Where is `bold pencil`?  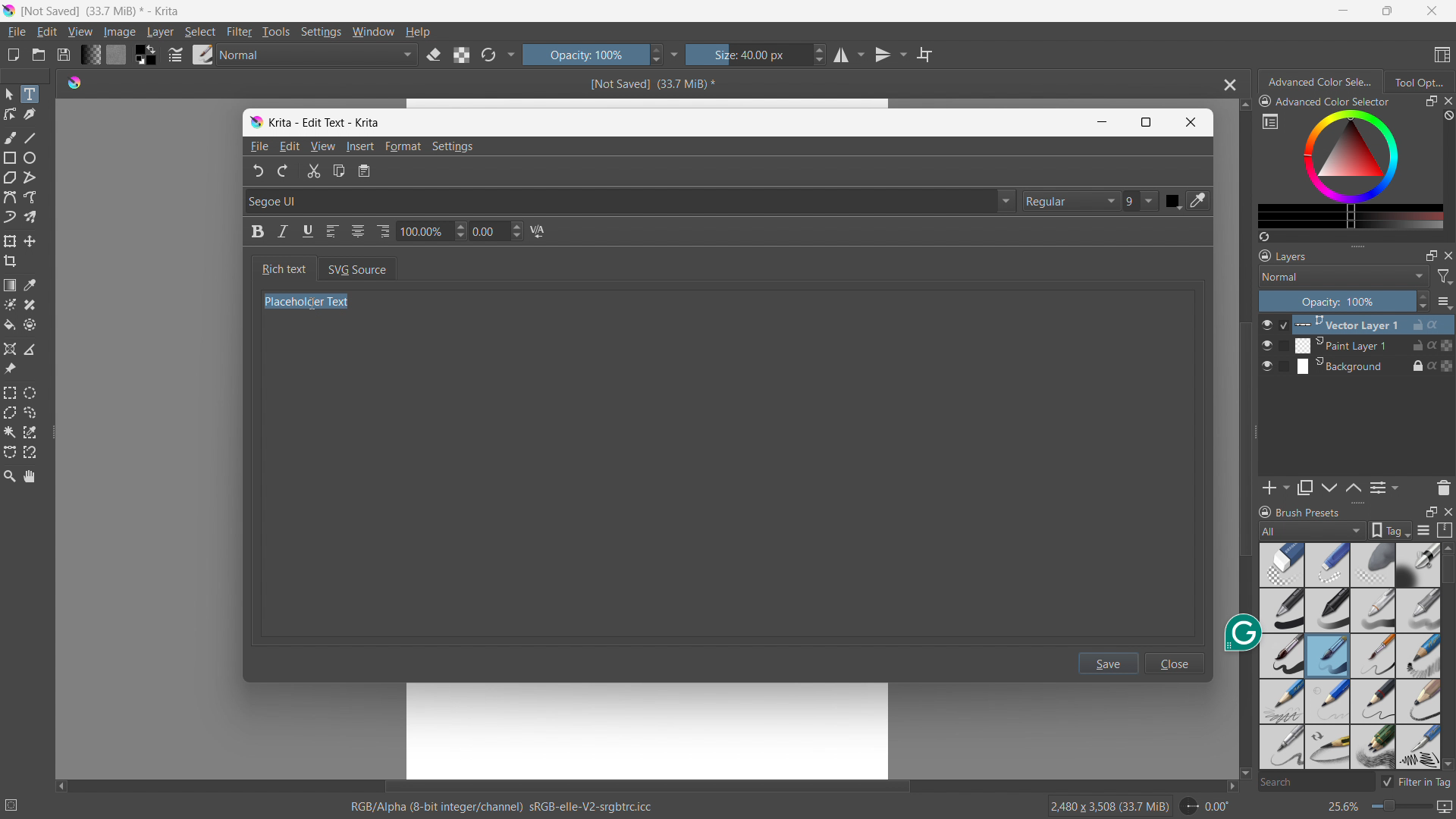 bold pencil is located at coordinates (1420, 702).